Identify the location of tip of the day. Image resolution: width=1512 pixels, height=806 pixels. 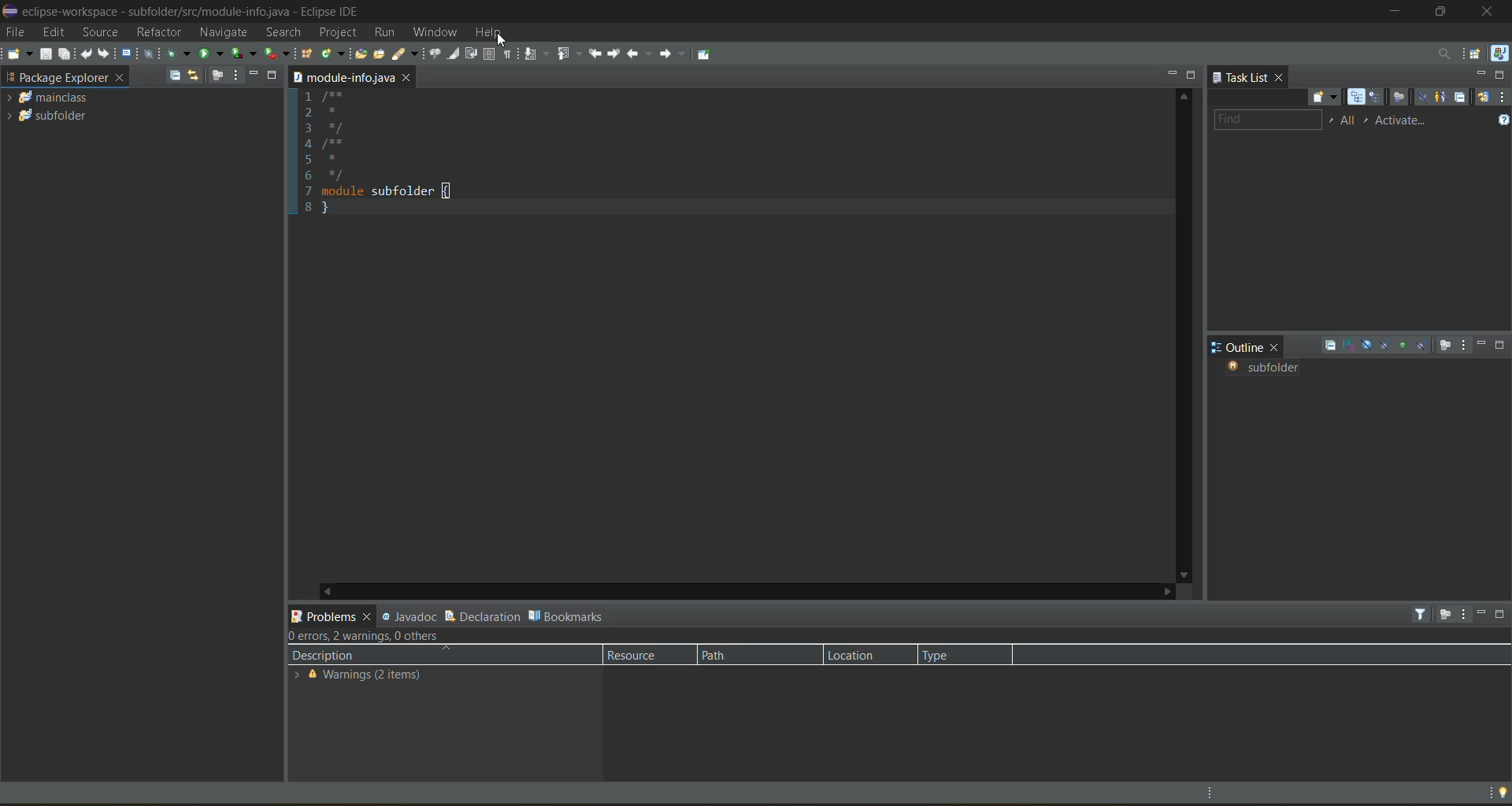
(1503, 792).